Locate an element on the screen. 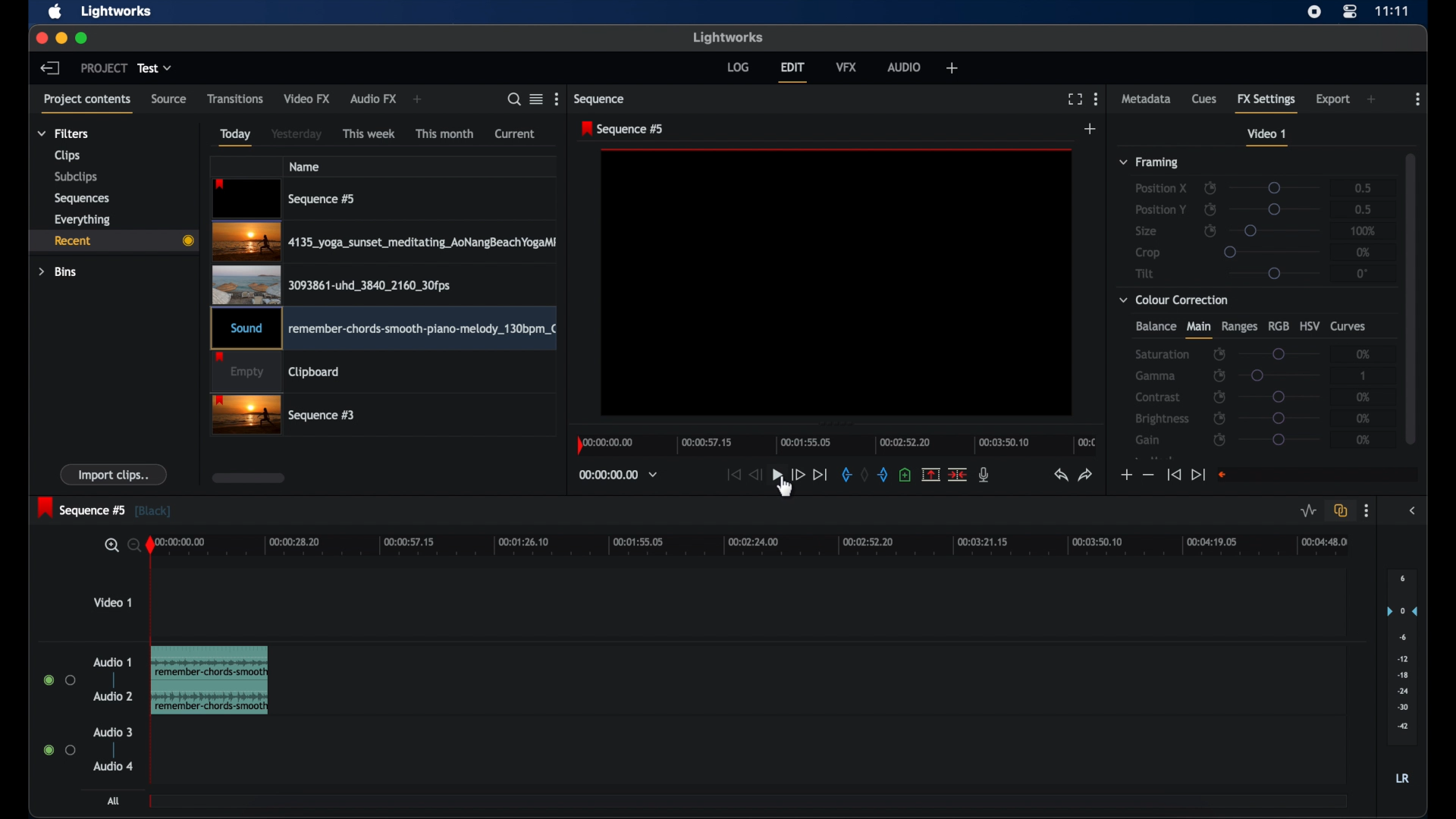 The width and height of the screenshot is (1456, 819). slider is located at coordinates (1276, 231).